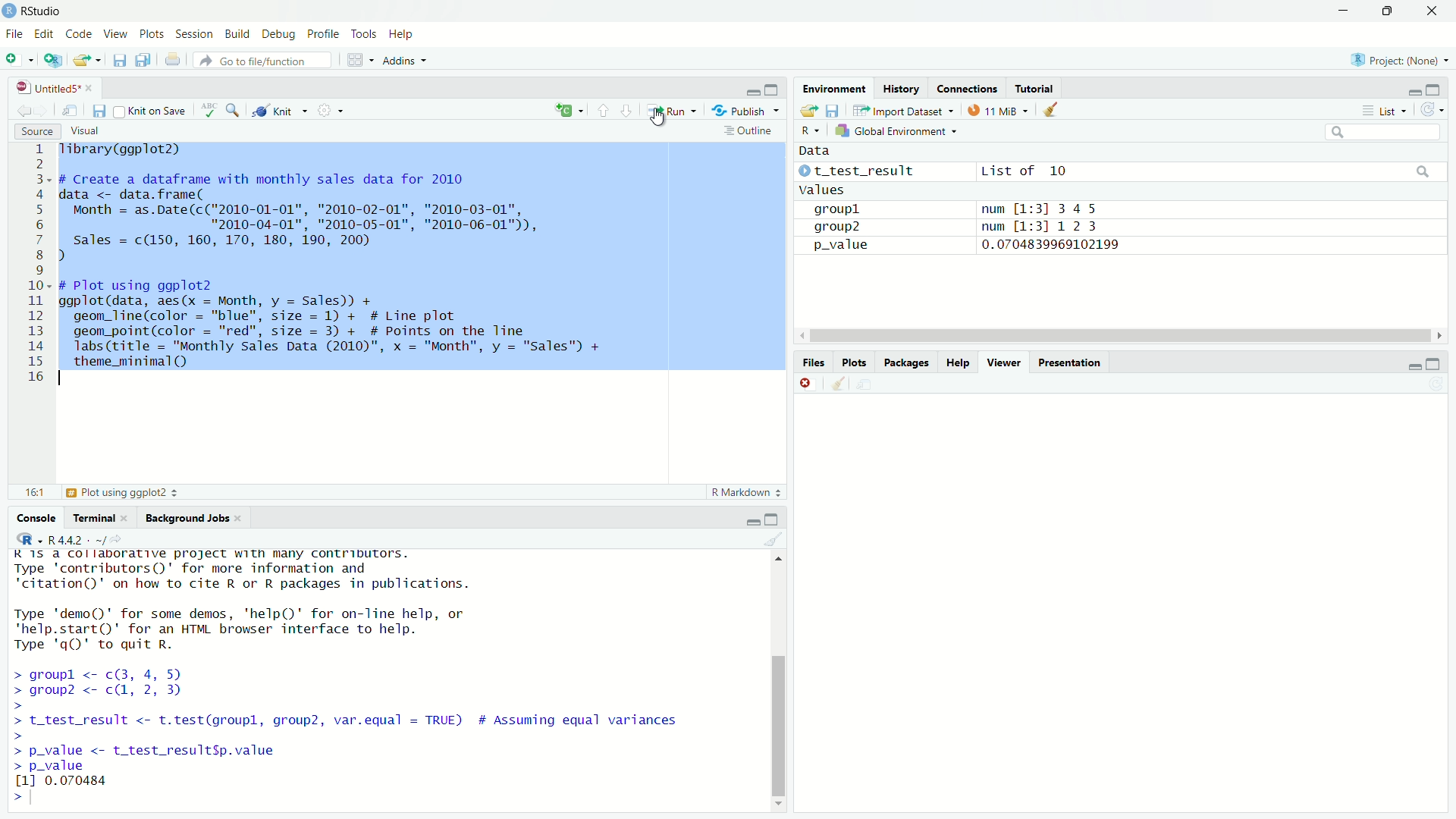 The width and height of the screenshot is (1456, 819). I want to click on groupl num [1:3] 345, so click(952, 210).